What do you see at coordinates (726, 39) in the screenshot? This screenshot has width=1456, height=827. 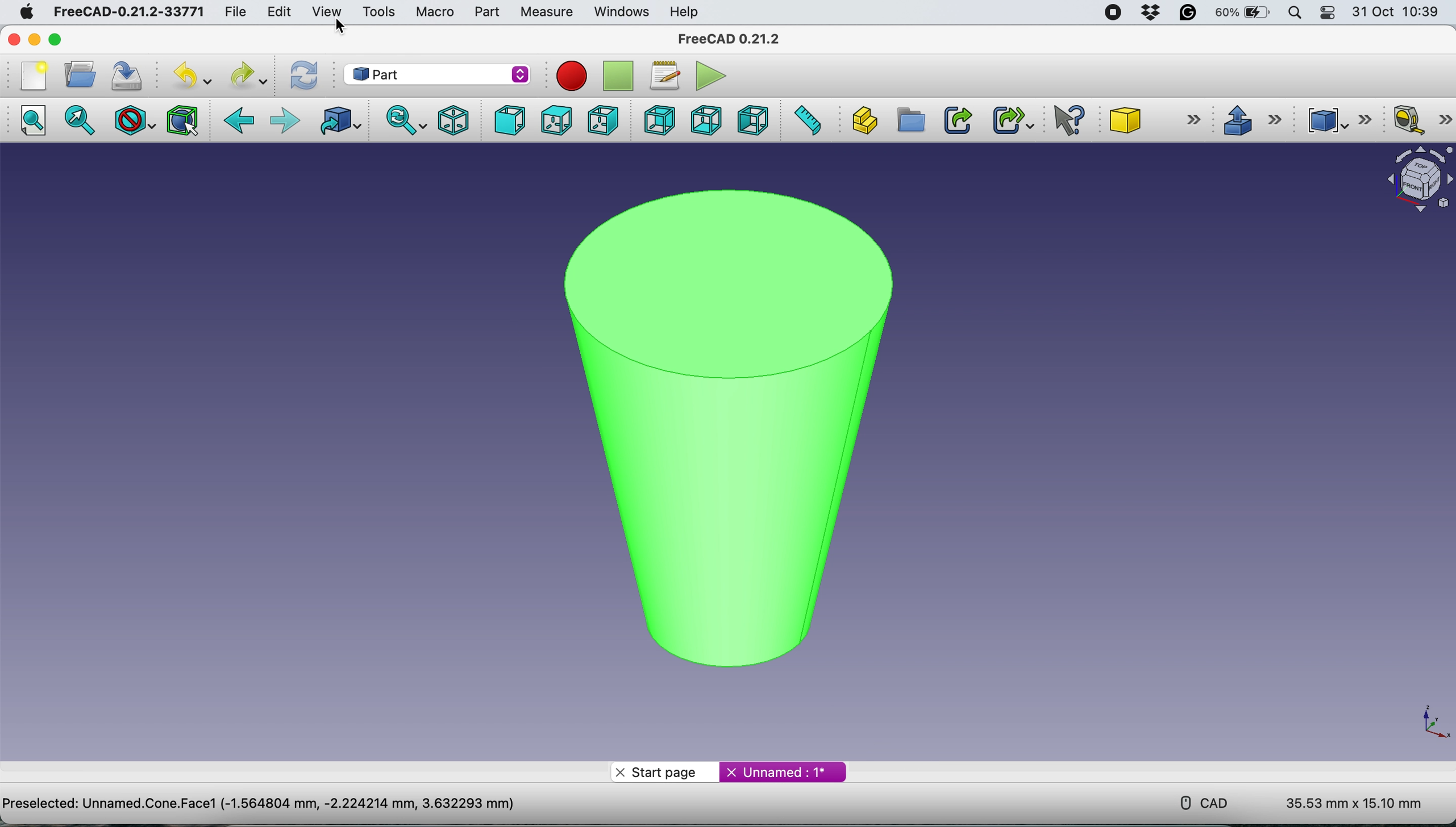 I see `freecad 0.21.2` at bounding box center [726, 39].